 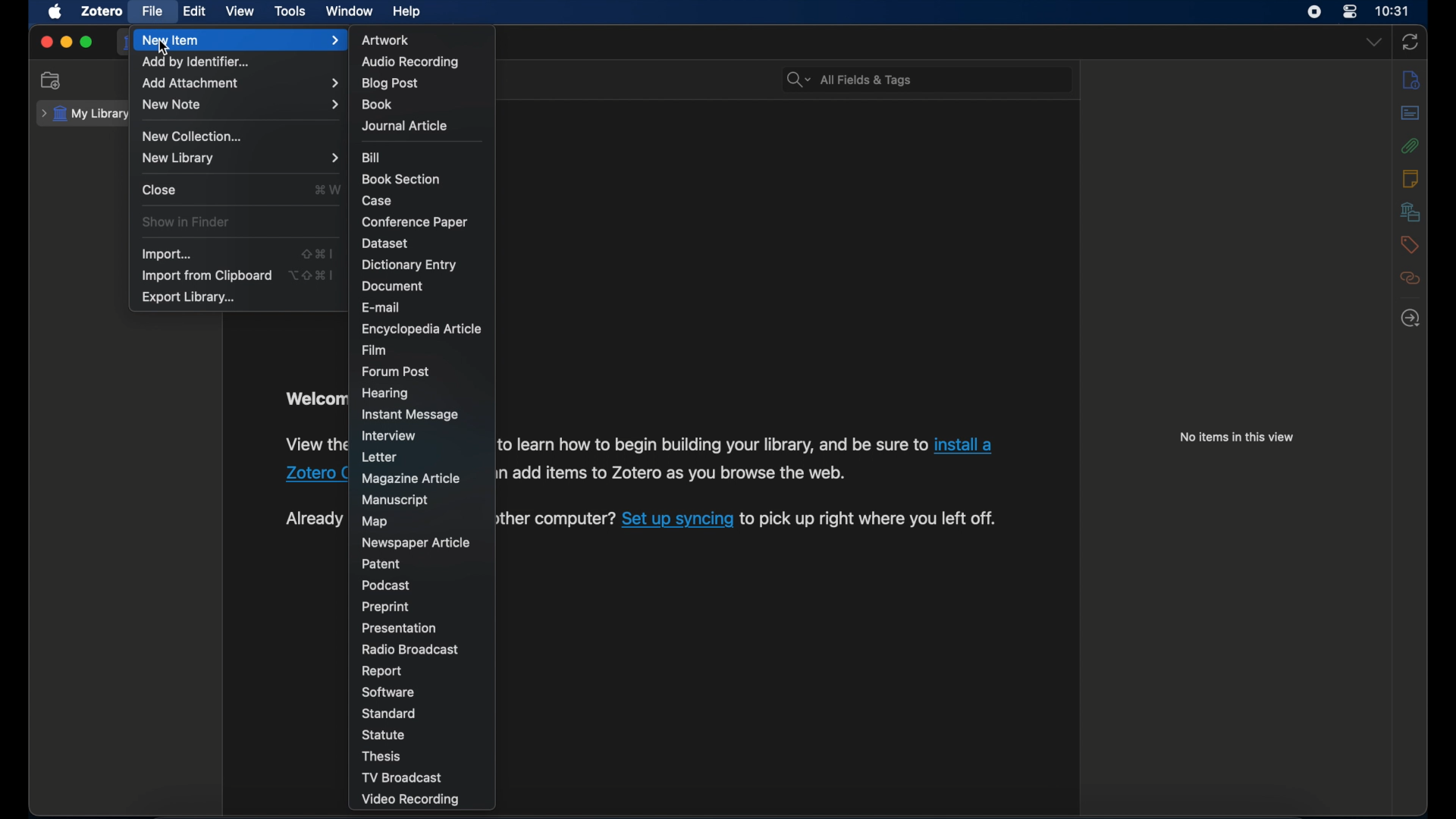 I want to click on export library, so click(x=188, y=297).